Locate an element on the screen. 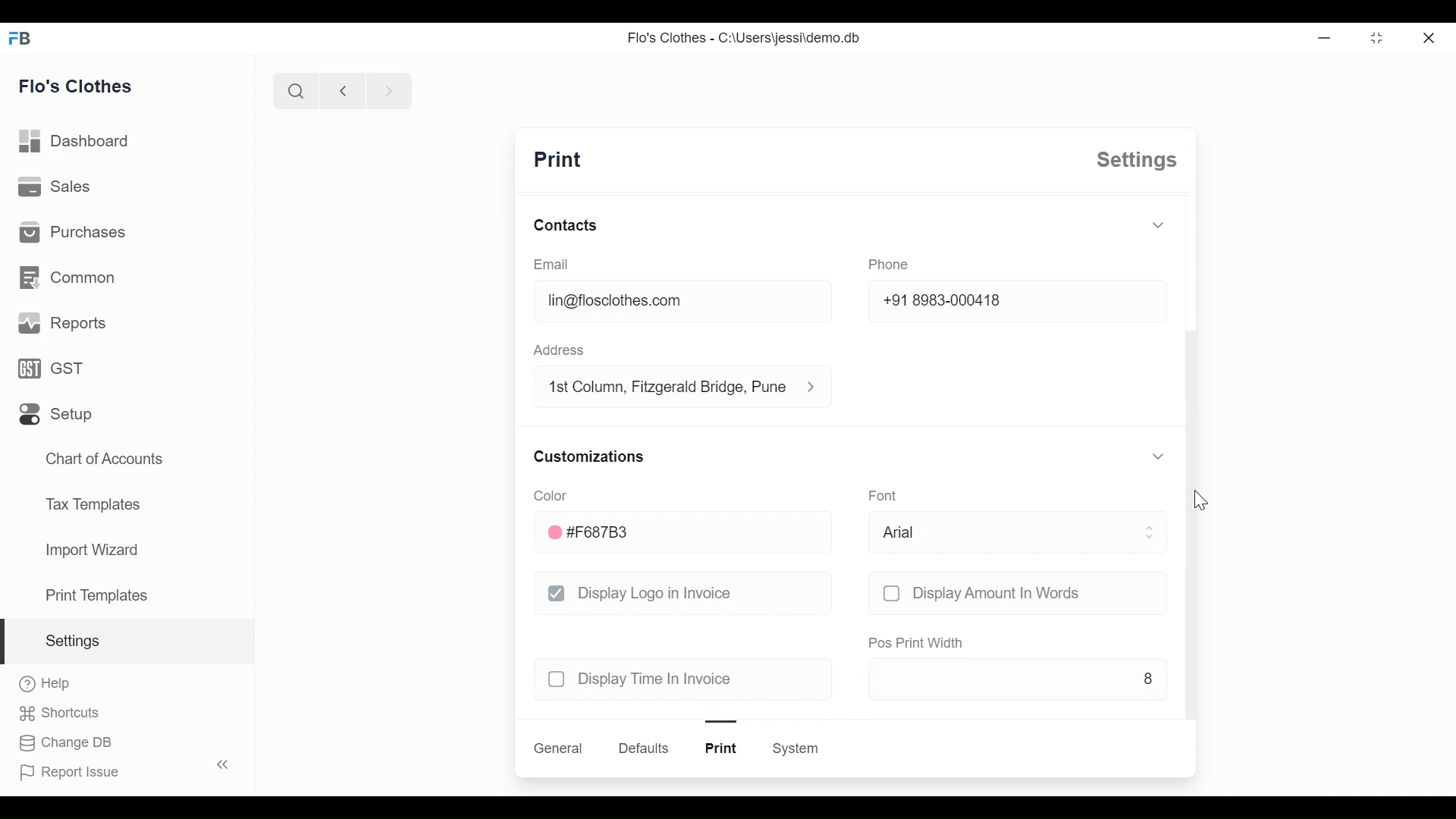  defaults is located at coordinates (645, 748).